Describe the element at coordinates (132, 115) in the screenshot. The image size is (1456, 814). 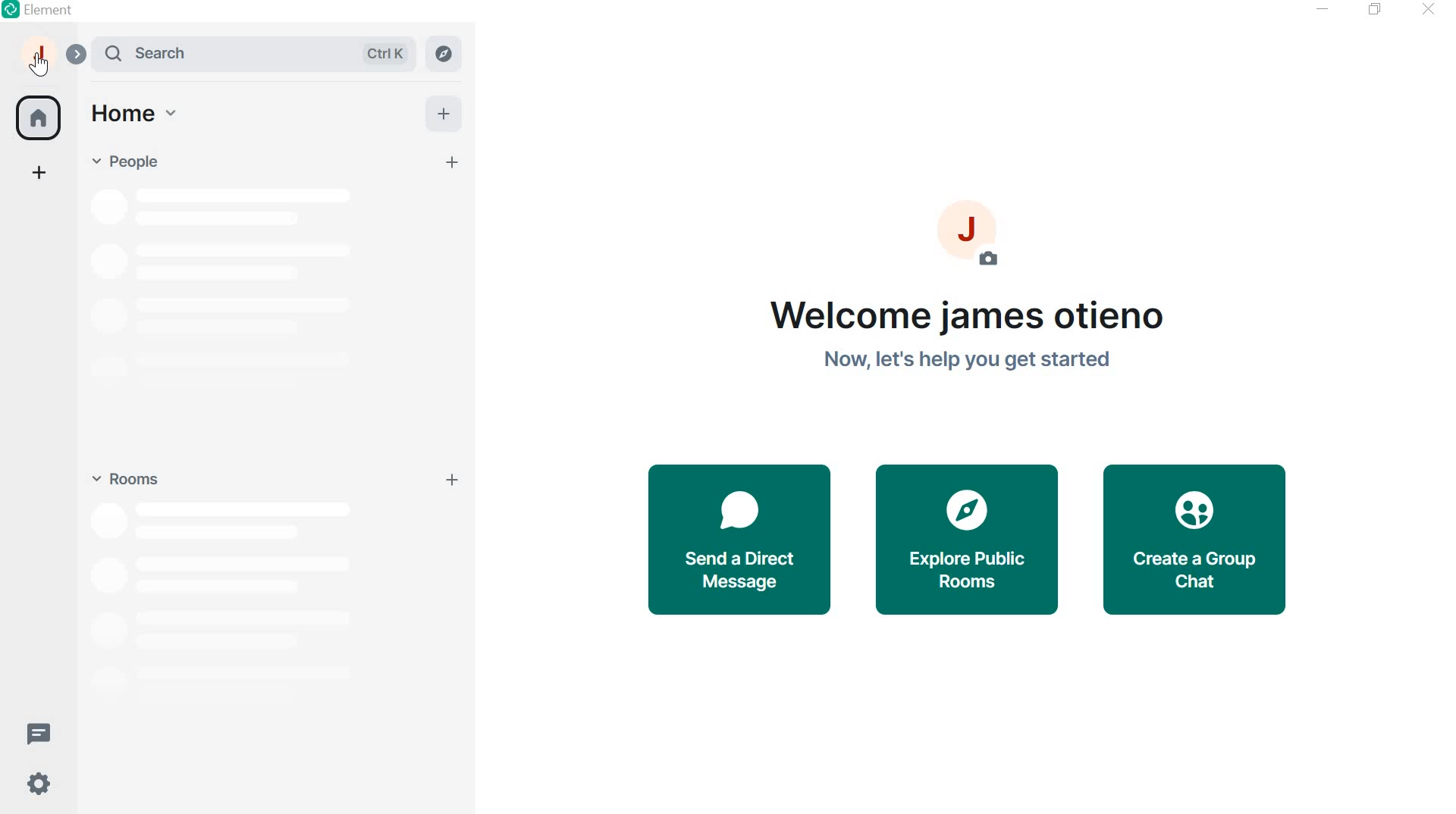
I see `HOME OPTIONS` at that location.